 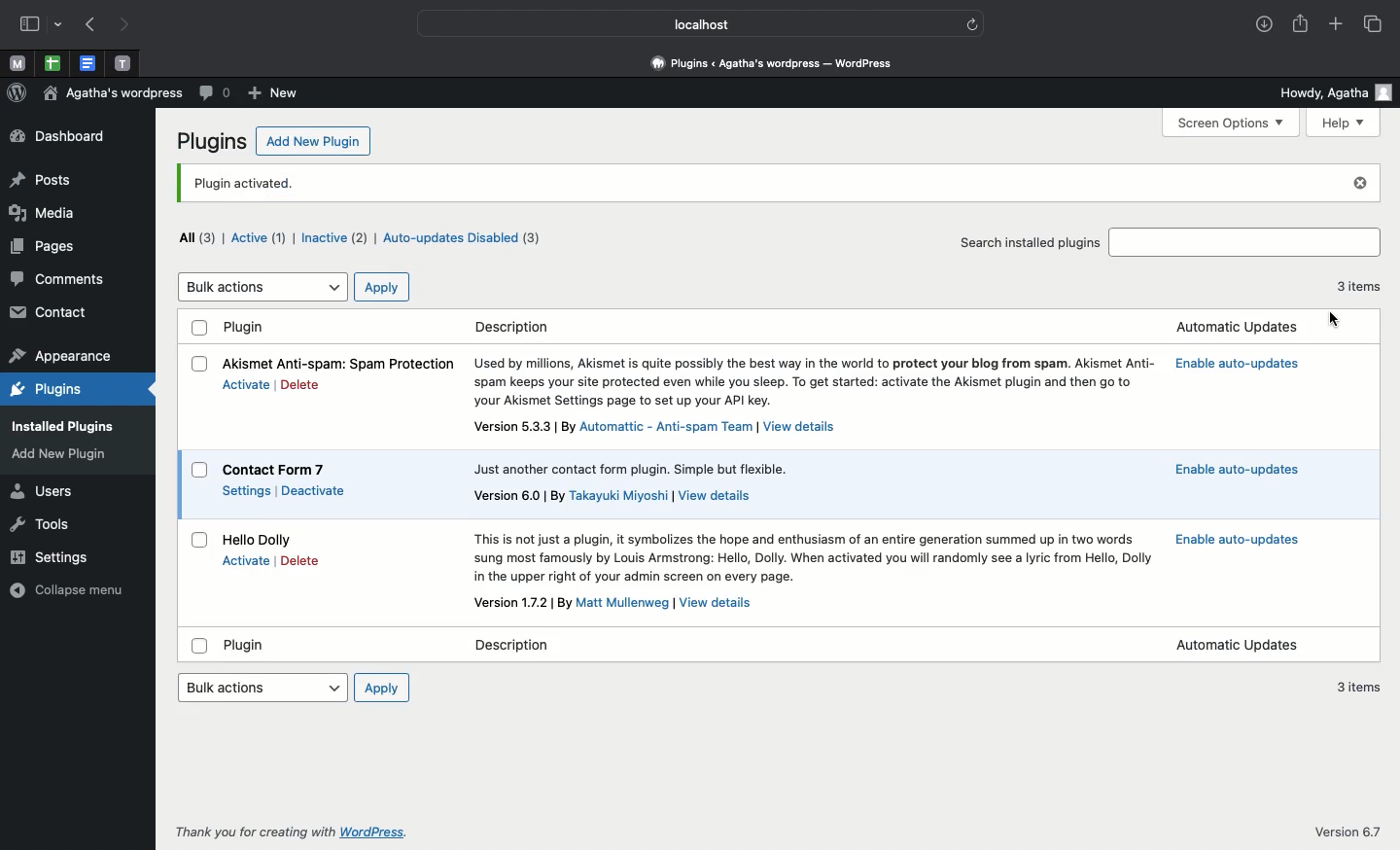 What do you see at coordinates (1242, 325) in the screenshot?
I see `Updates` at bounding box center [1242, 325].